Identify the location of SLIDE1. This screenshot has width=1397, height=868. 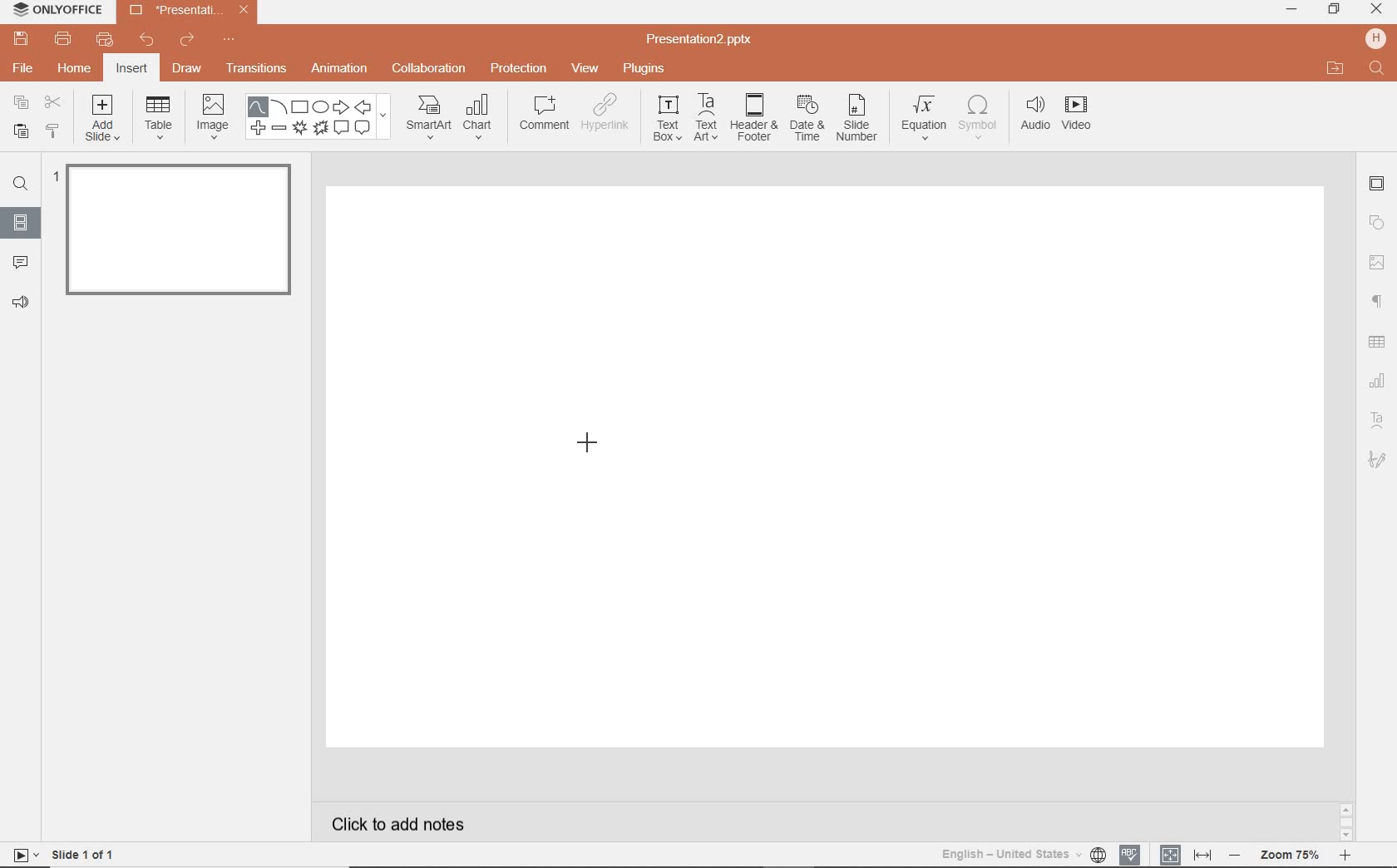
(175, 235).